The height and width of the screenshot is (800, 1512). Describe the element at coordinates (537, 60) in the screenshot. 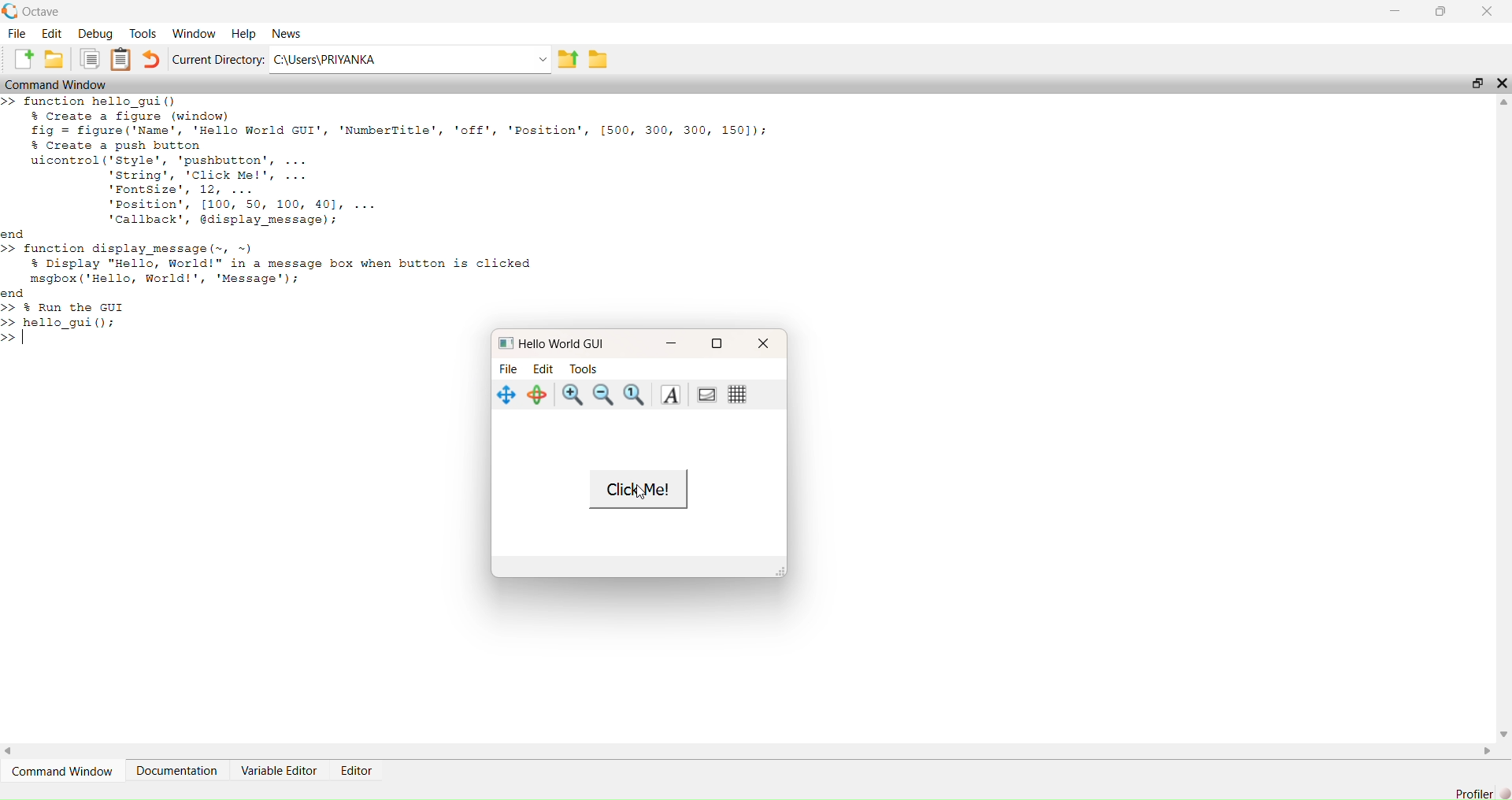

I see `dropdown` at that location.